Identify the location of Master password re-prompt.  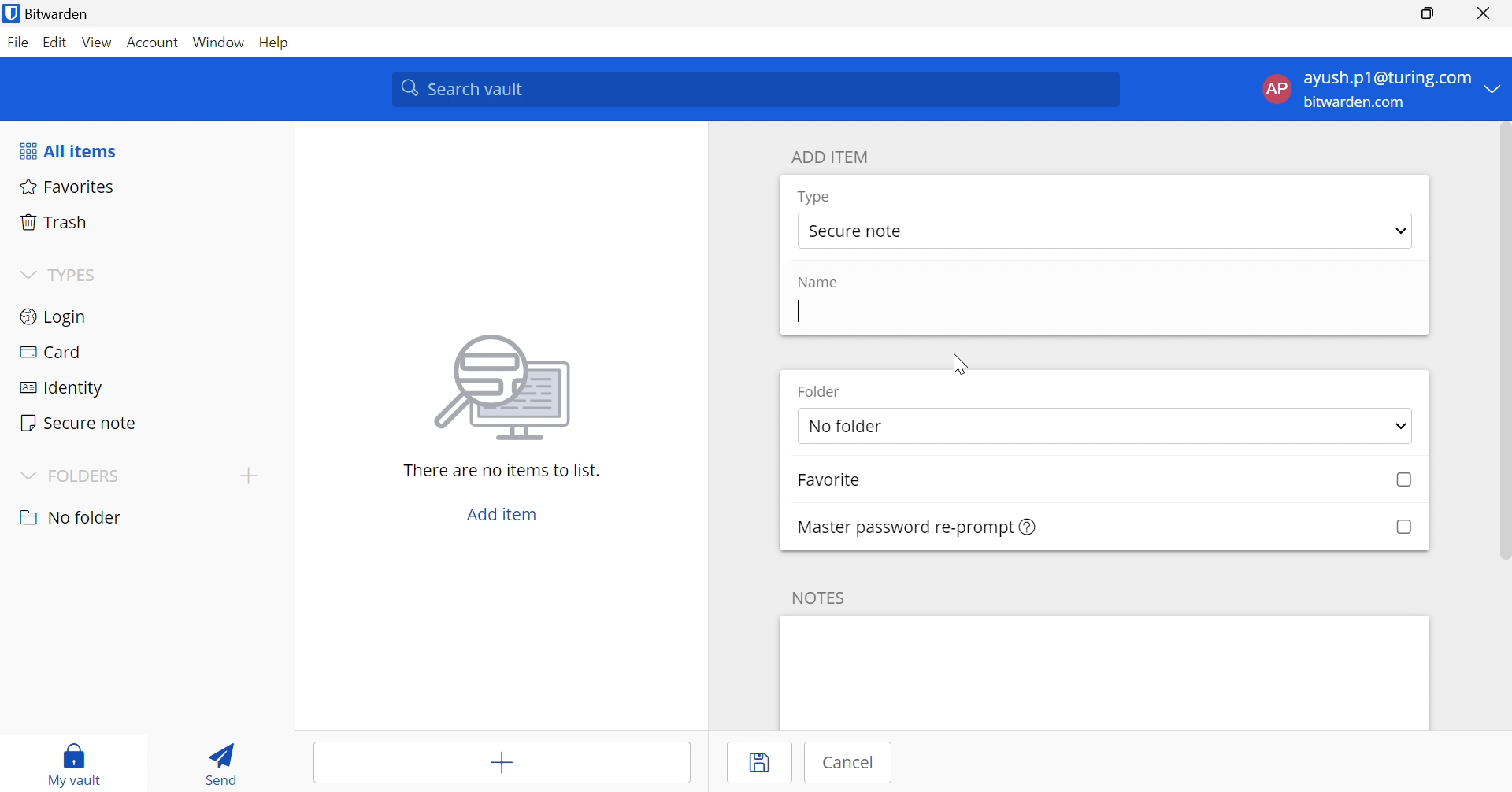
(917, 527).